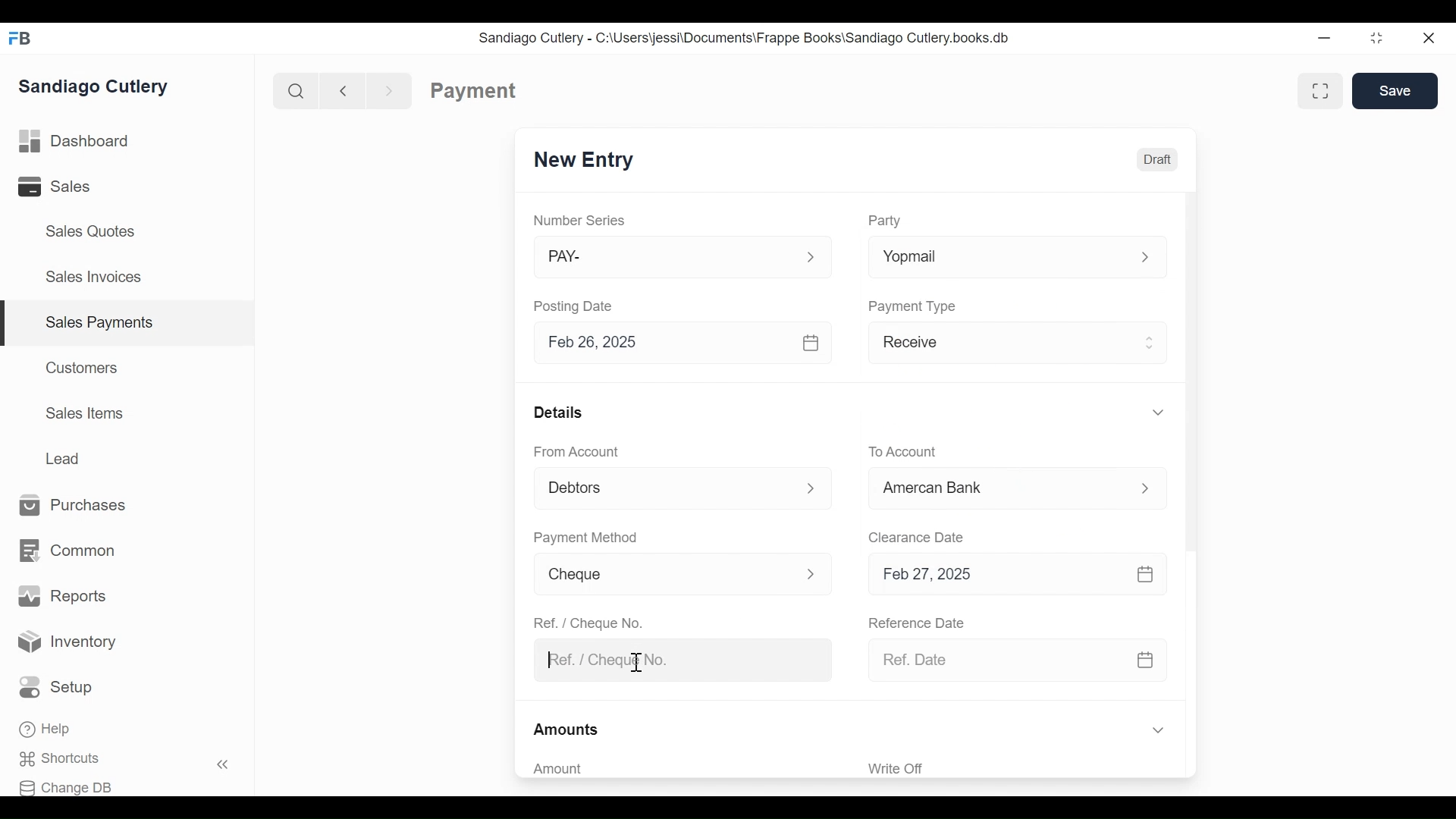 The height and width of the screenshot is (819, 1456). I want to click on Payment Method, so click(585, 538).